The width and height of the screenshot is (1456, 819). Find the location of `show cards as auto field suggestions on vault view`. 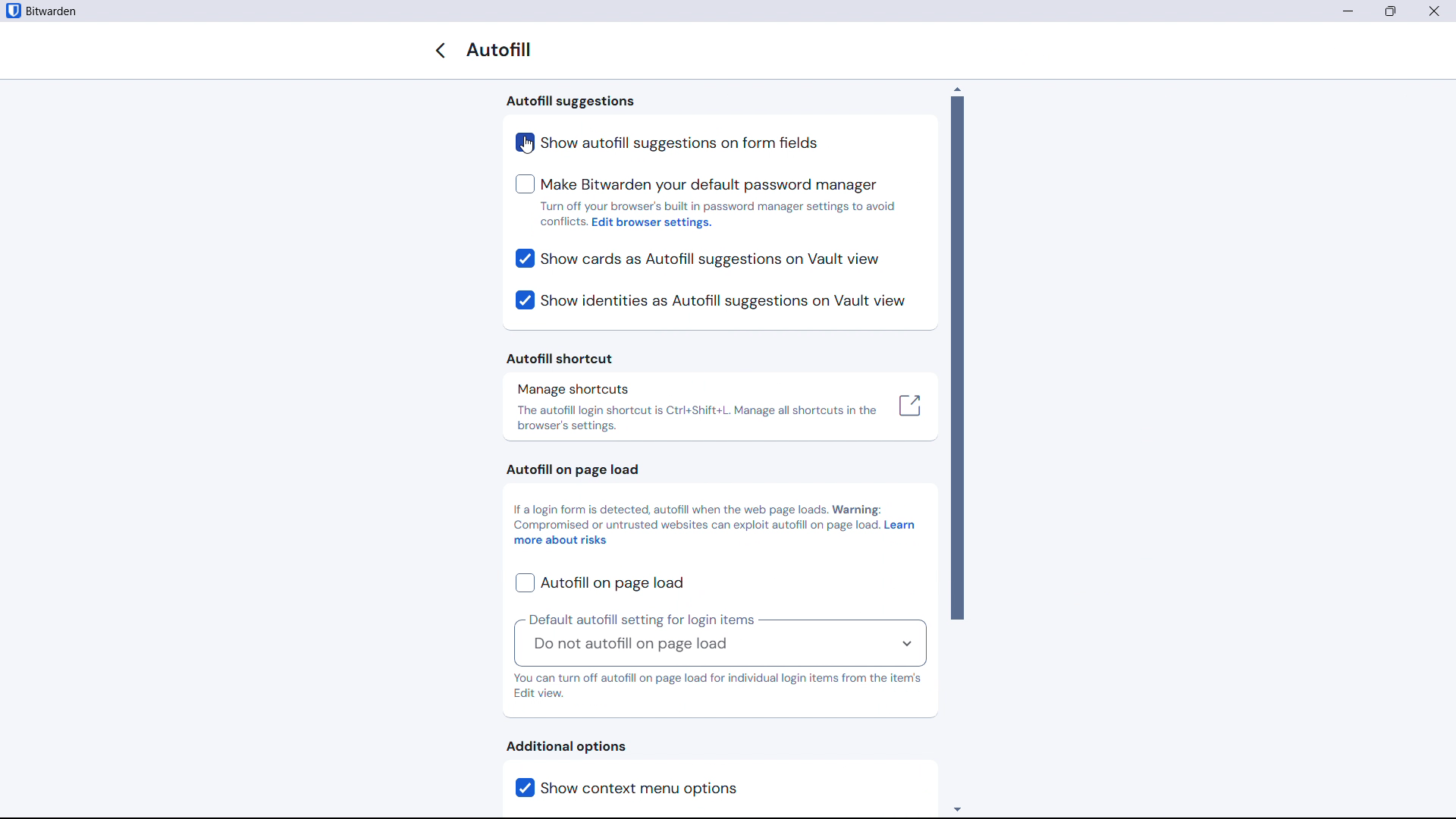

show cards as auto field suggestions on vault view is located at coordinates (698, 259).